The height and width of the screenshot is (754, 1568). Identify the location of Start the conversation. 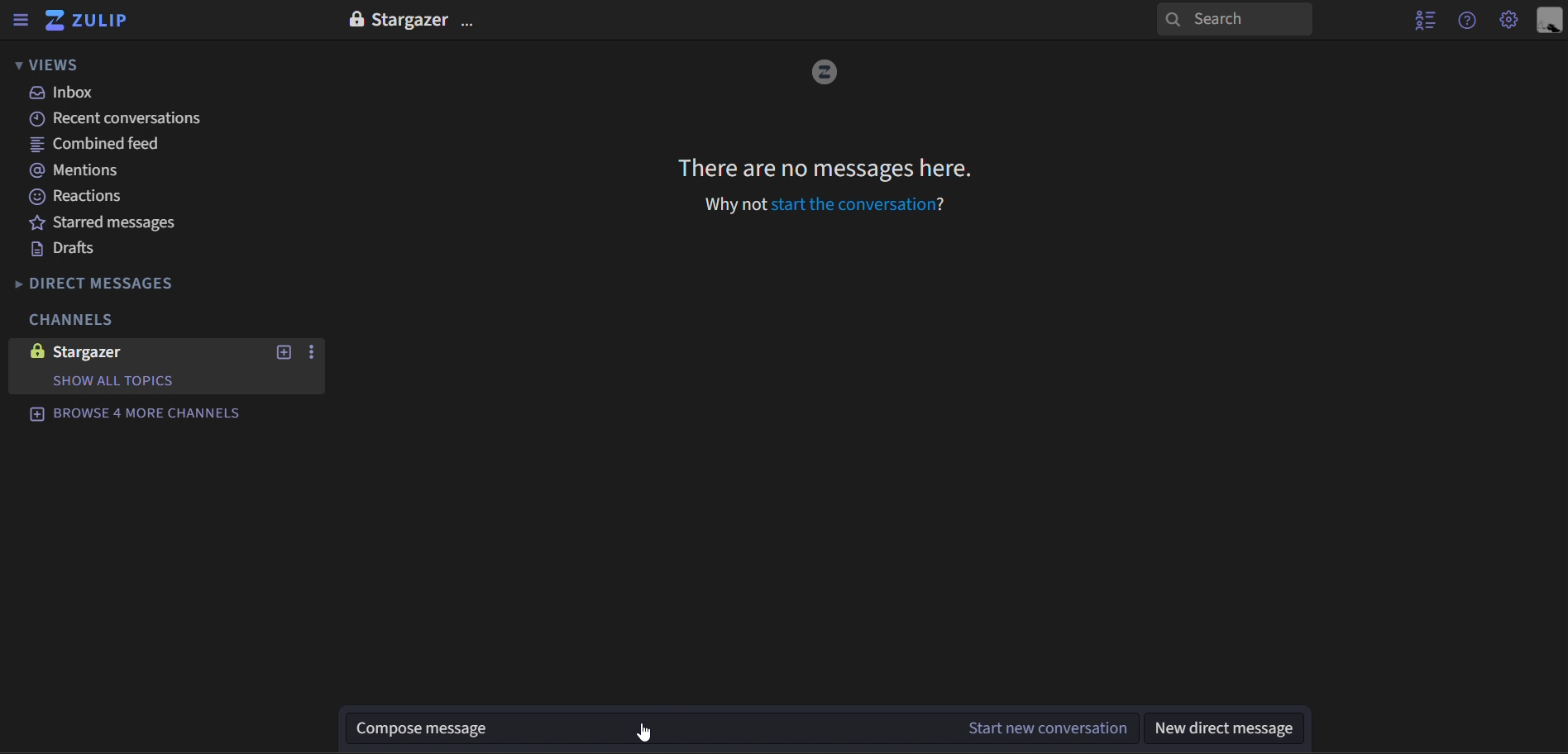
(858, 205).